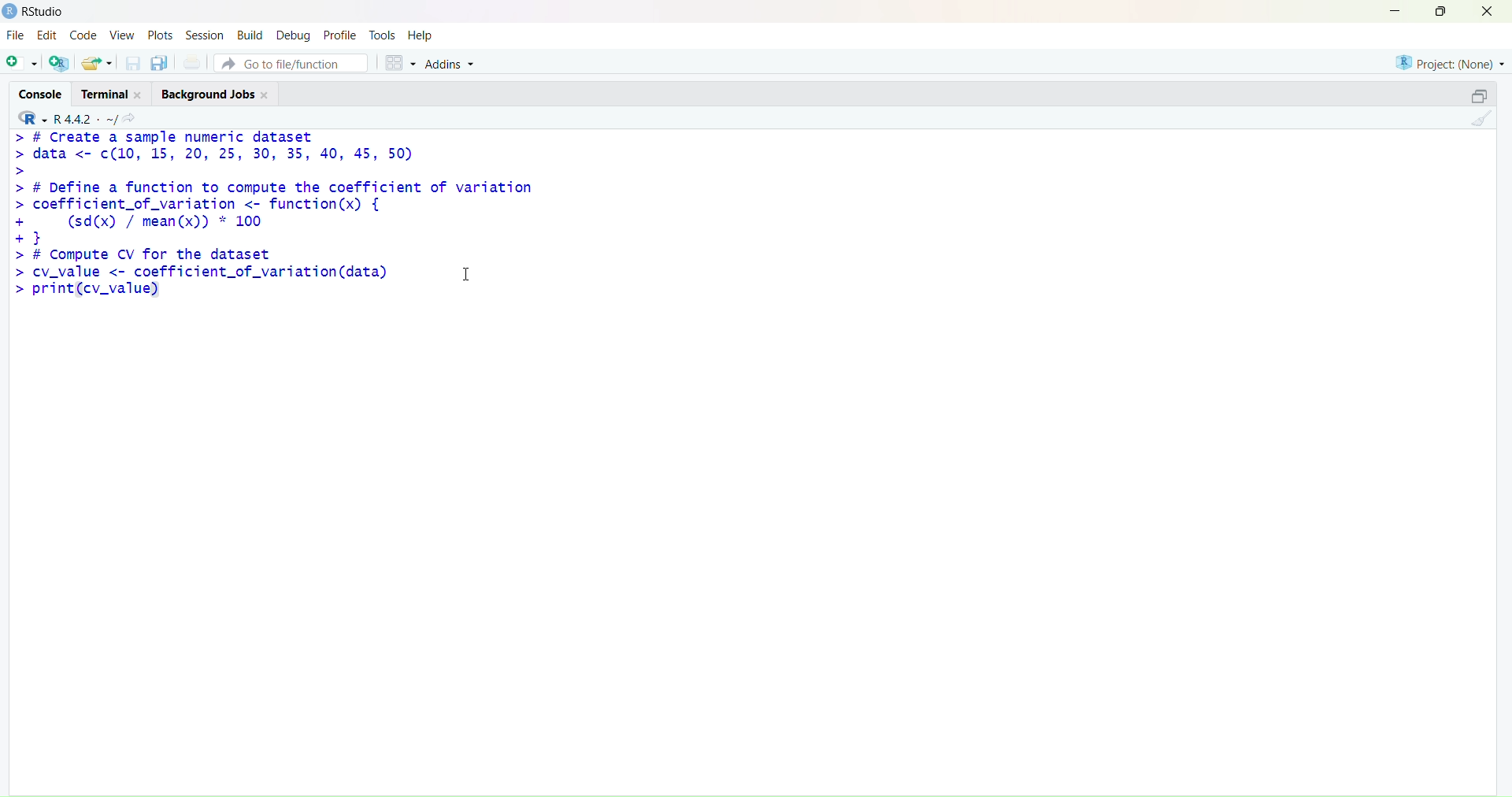  Describe the element at coordinates (293, 37) in the screenshot. I see `debug` at that location.